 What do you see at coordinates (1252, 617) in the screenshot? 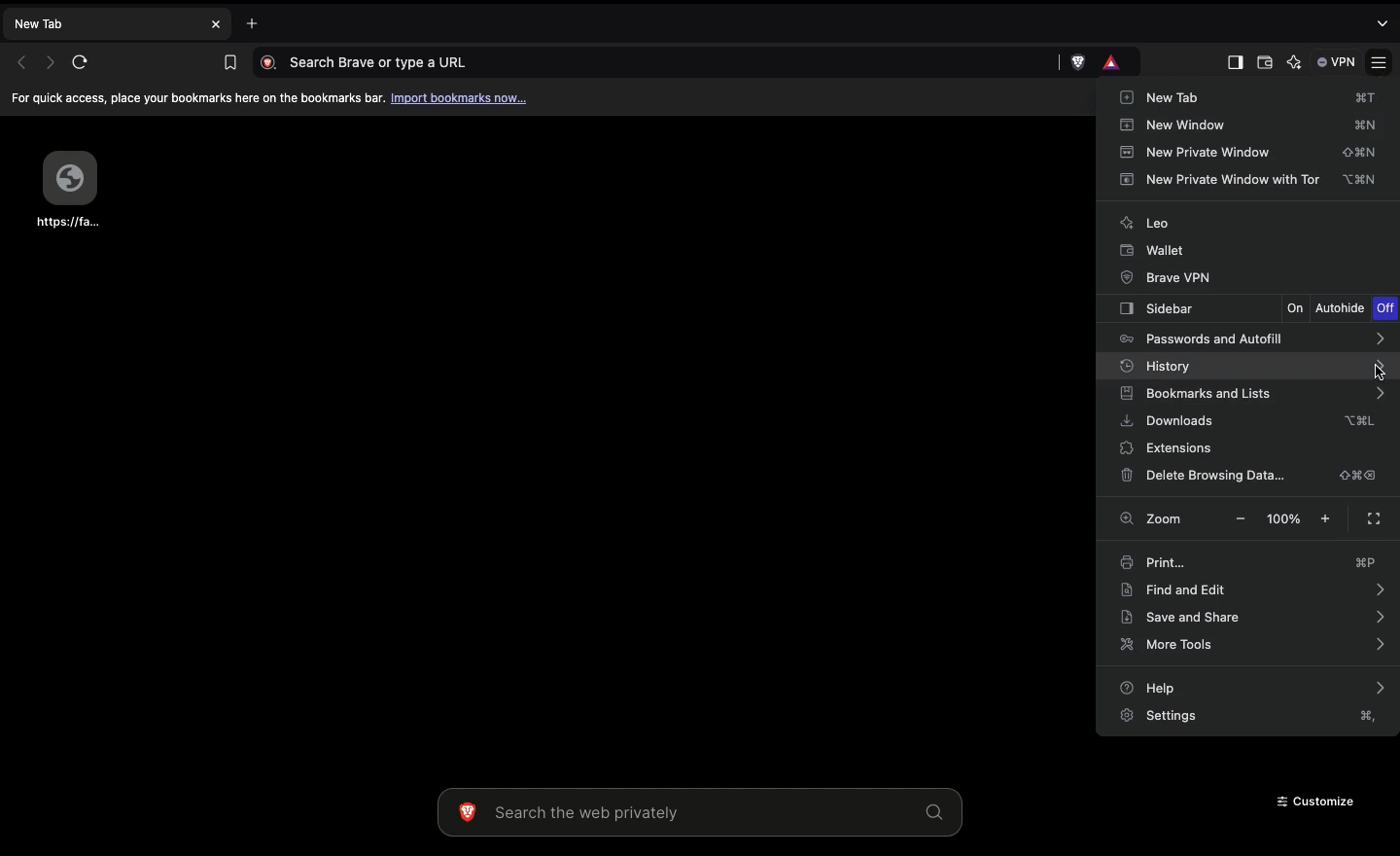
I see `Save and share` at bounding box center [1252, 617].